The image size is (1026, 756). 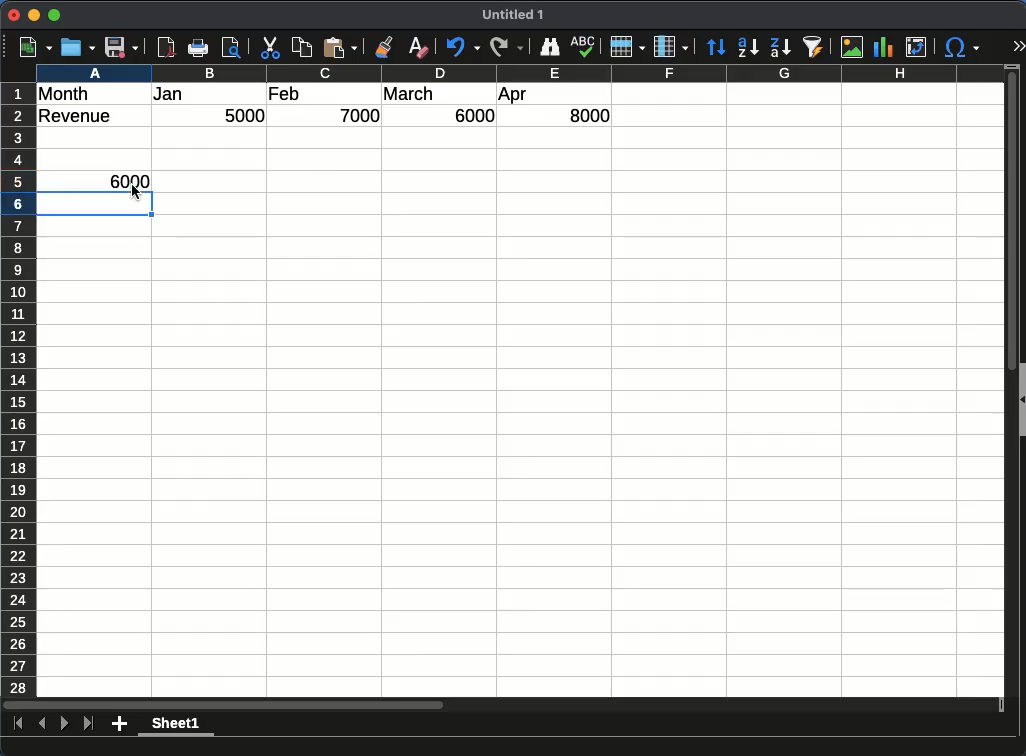 I want to click on rows, so click(x=18, y=390).